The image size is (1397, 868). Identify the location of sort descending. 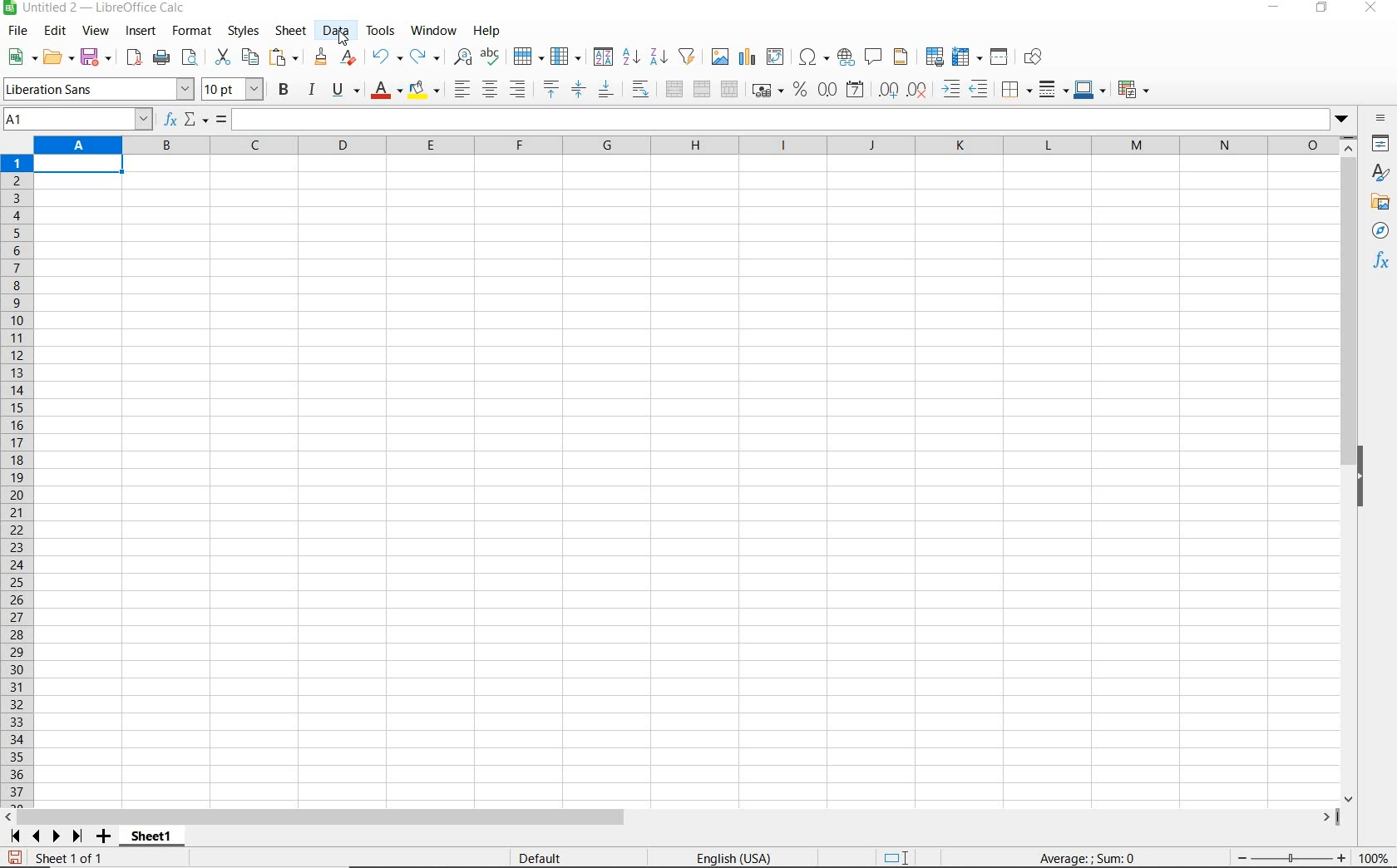
(659, 56).